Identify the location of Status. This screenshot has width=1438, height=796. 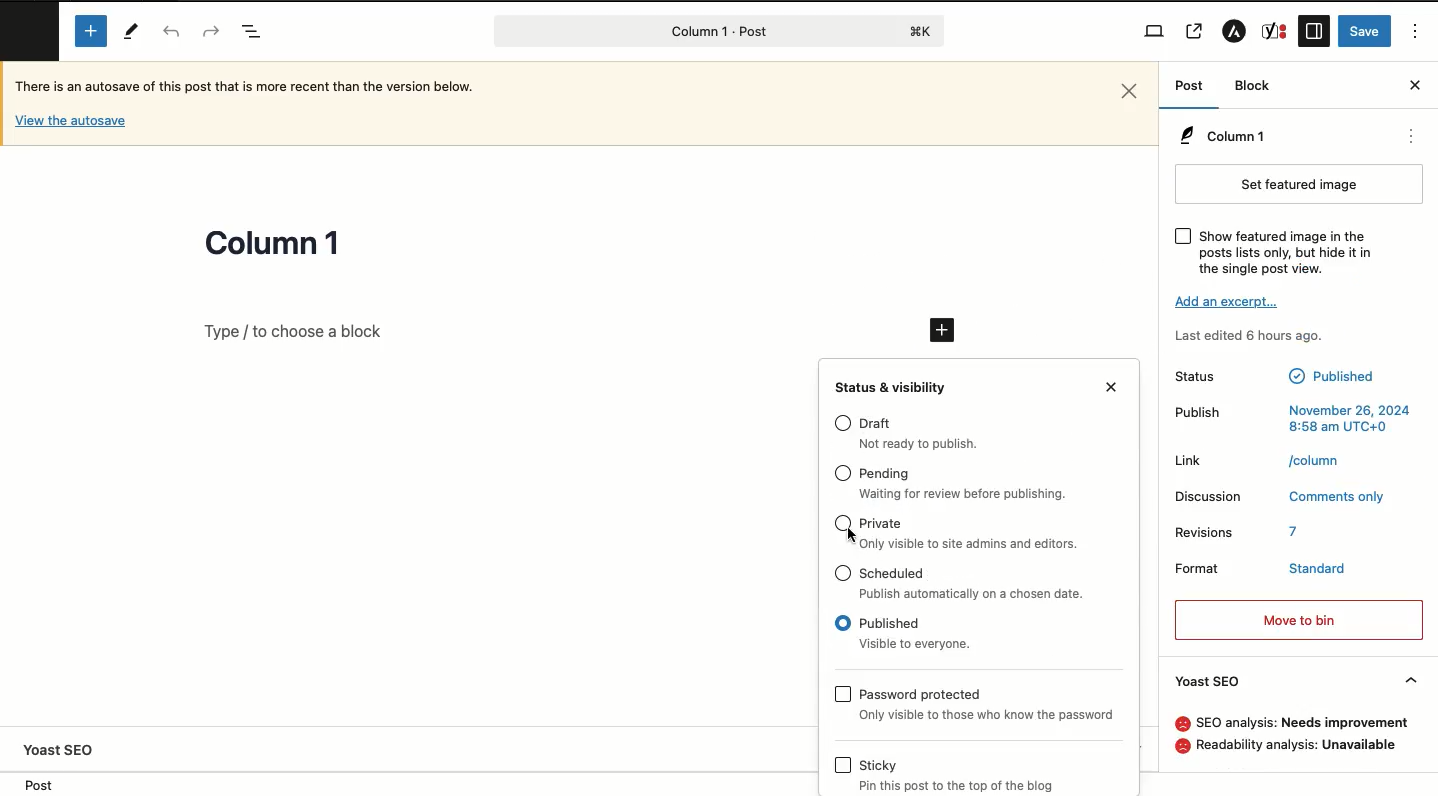
(1212, 377).